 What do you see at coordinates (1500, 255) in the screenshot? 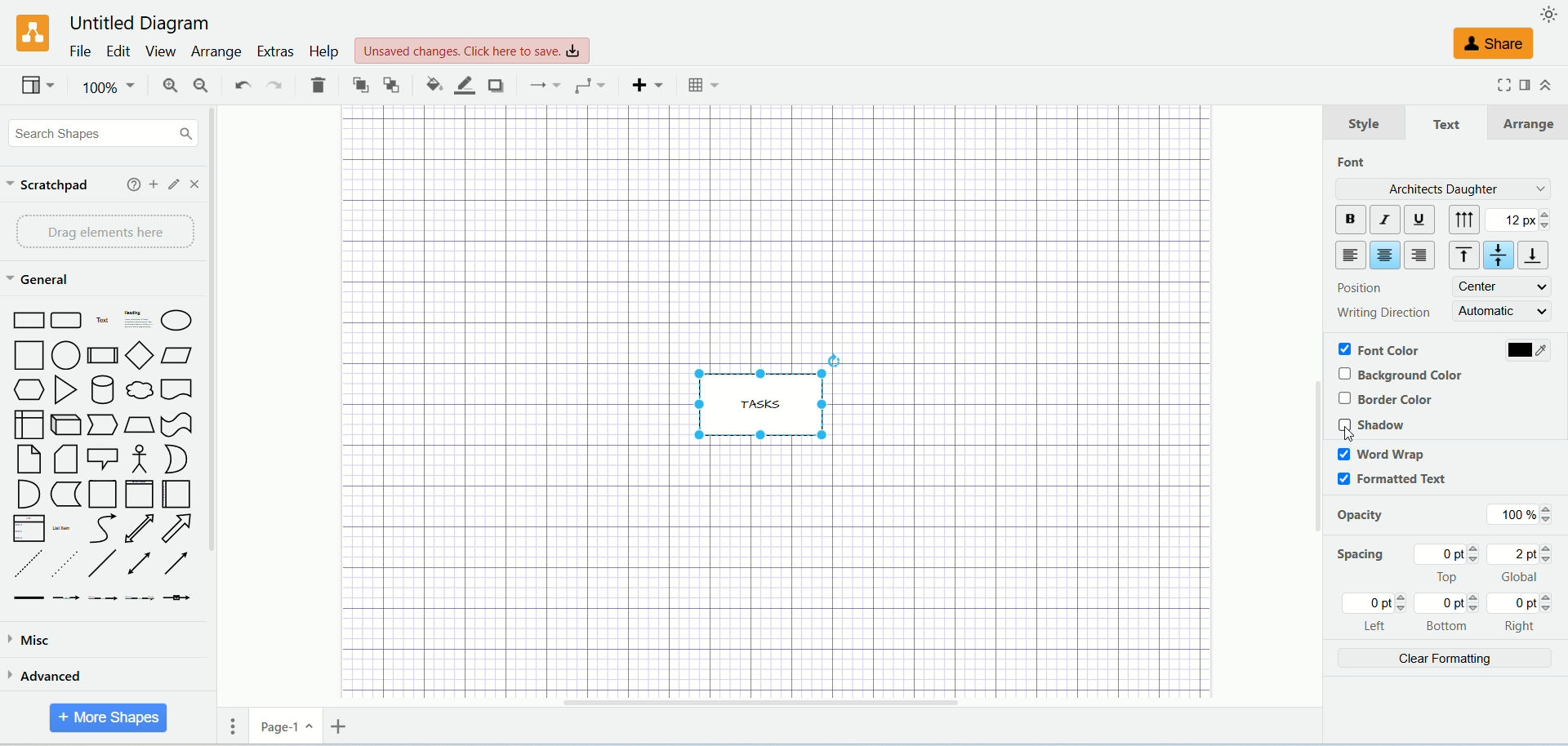
I see `middle` at bounding box center [1500, 255].